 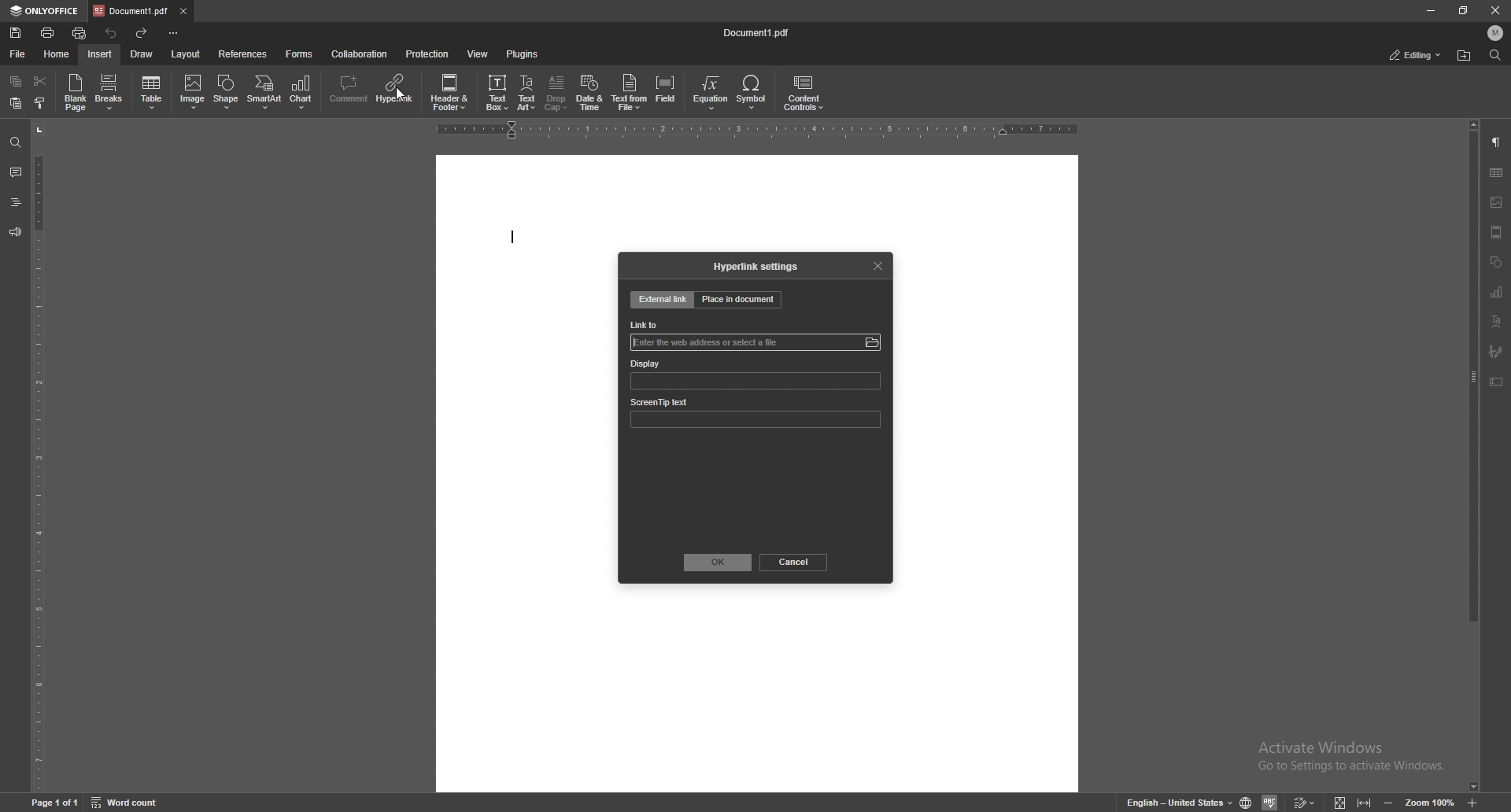 What do you see at coordinates (526, 93) in the screenshot?
I see `text art` at bounding box center [526, 93].